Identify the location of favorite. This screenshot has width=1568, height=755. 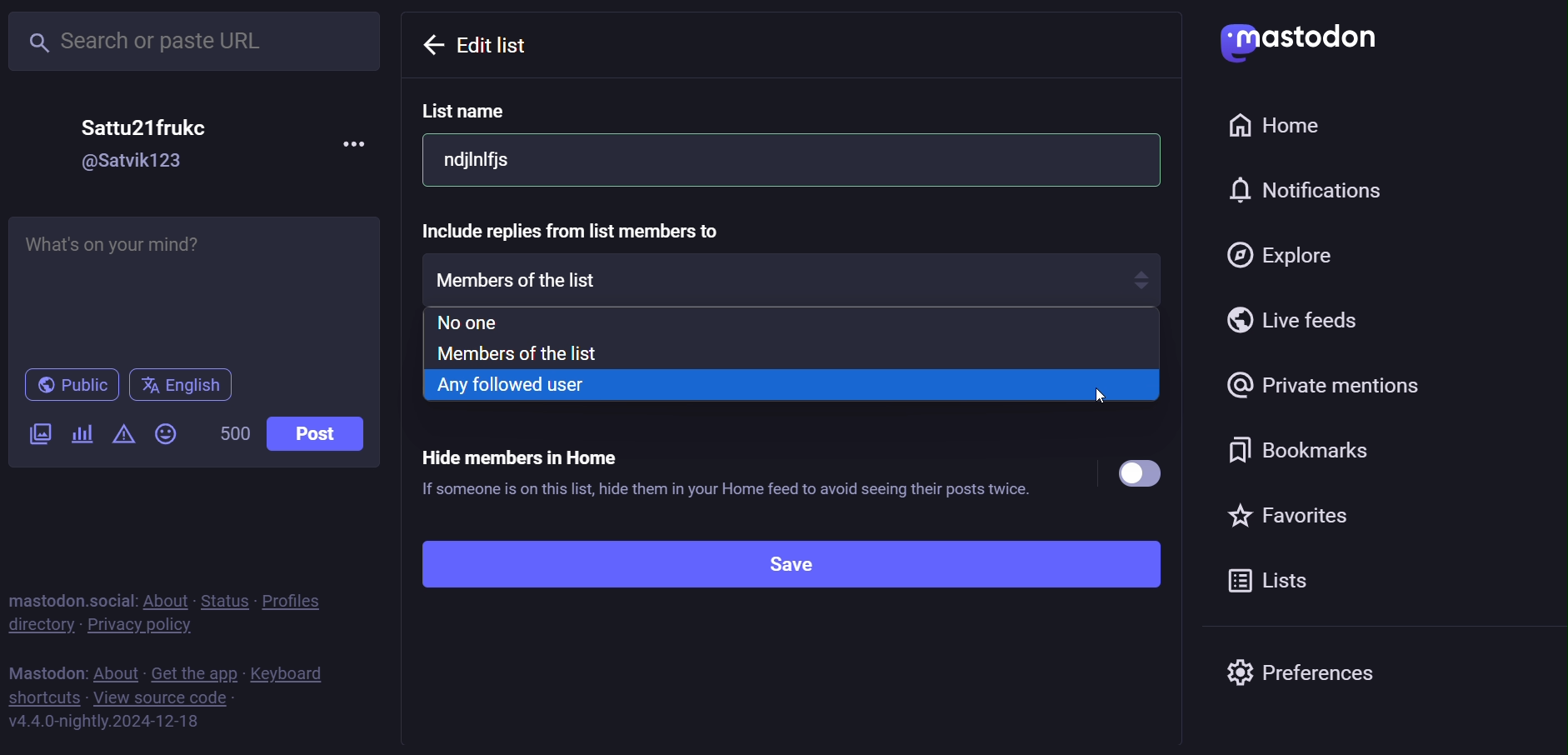
(1301, 516).